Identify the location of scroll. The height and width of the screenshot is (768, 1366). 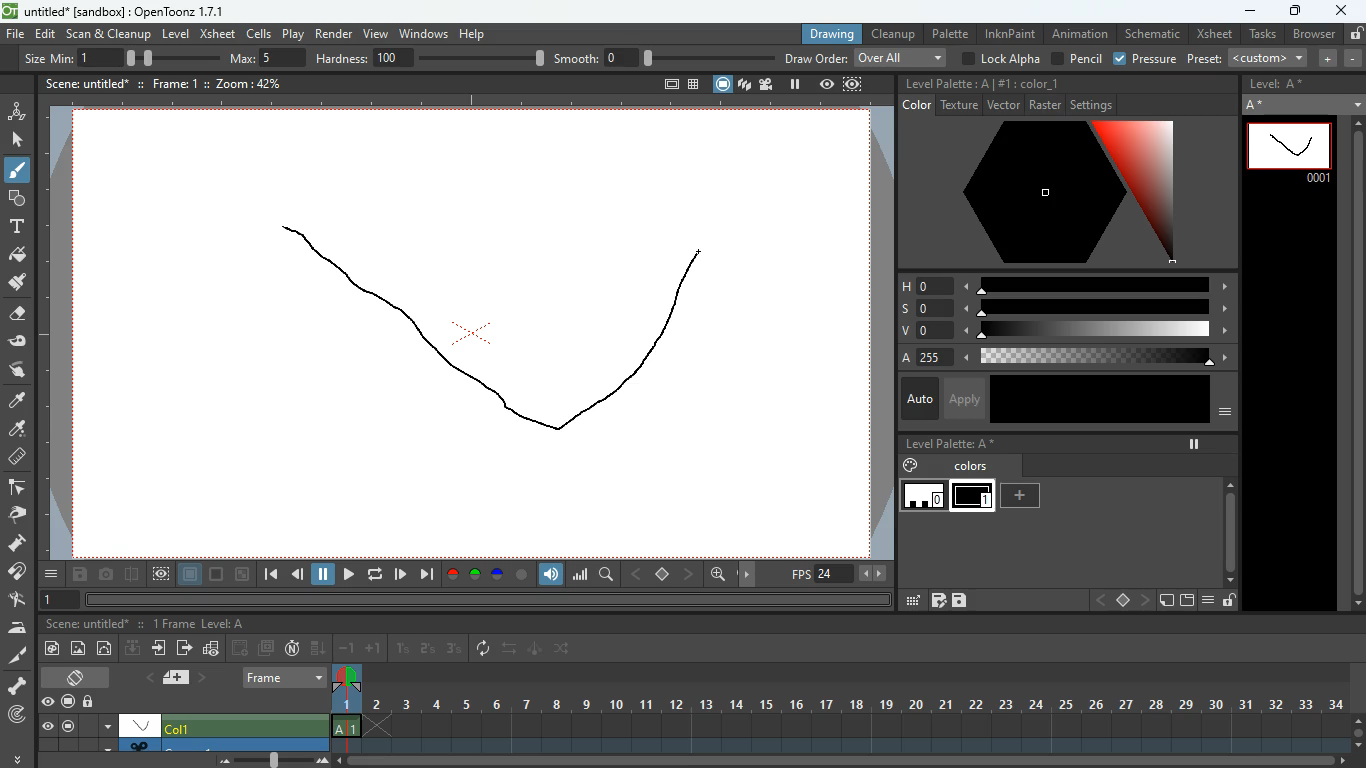
(1352, 364).